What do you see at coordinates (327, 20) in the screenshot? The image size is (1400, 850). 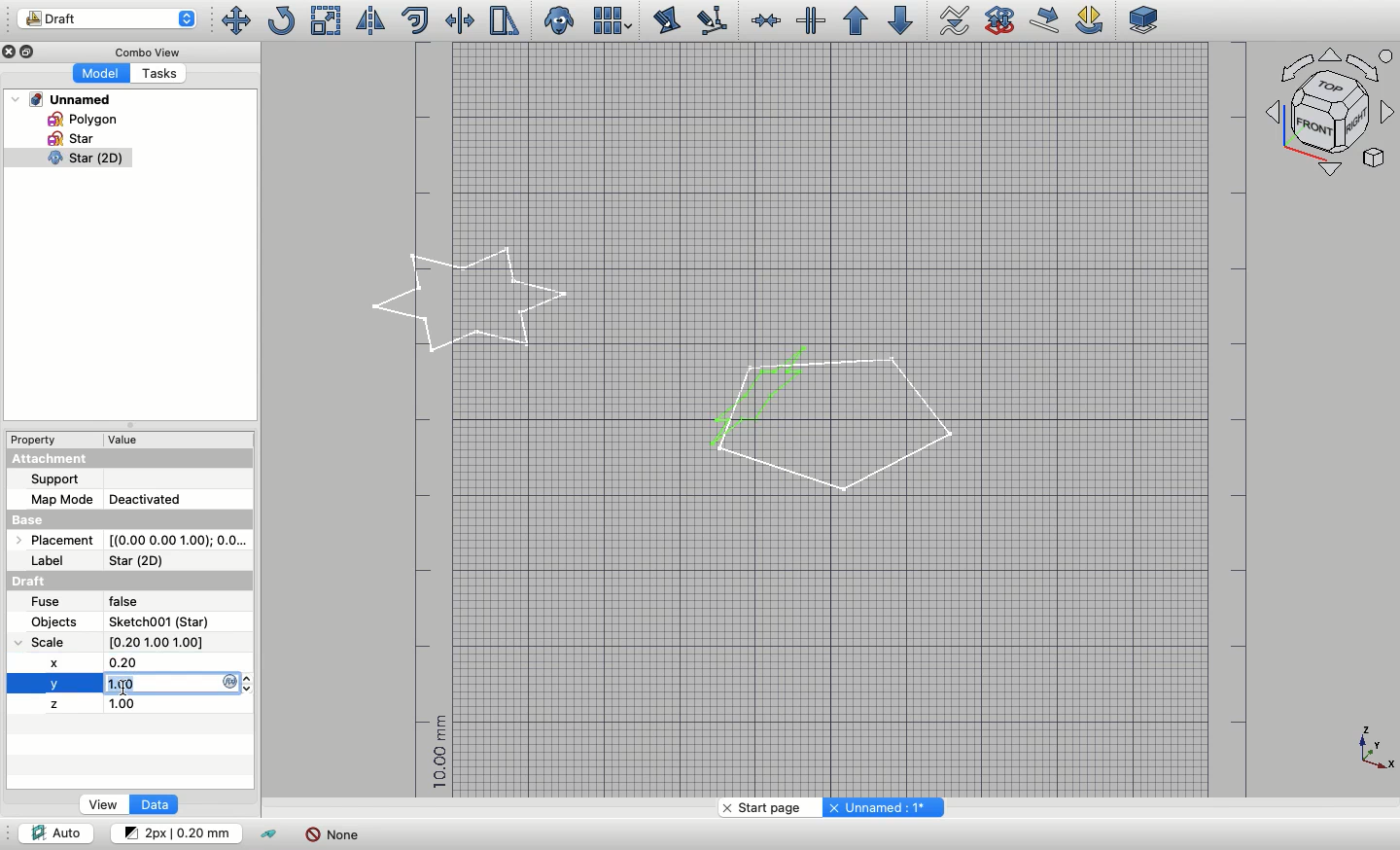 I see `Scale` at bounding box center [327, 20].